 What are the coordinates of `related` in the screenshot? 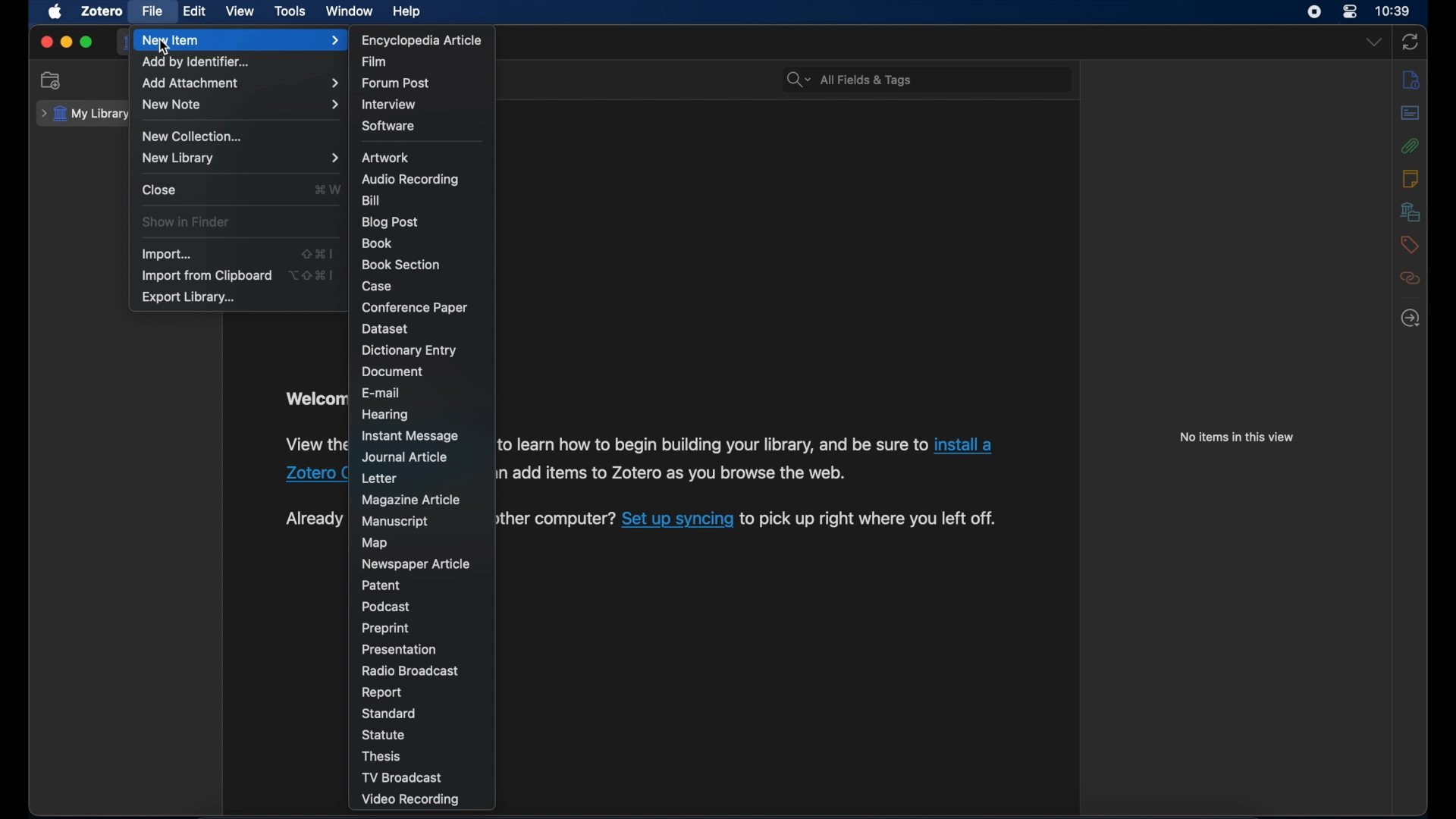 It's located at (1411, 278).